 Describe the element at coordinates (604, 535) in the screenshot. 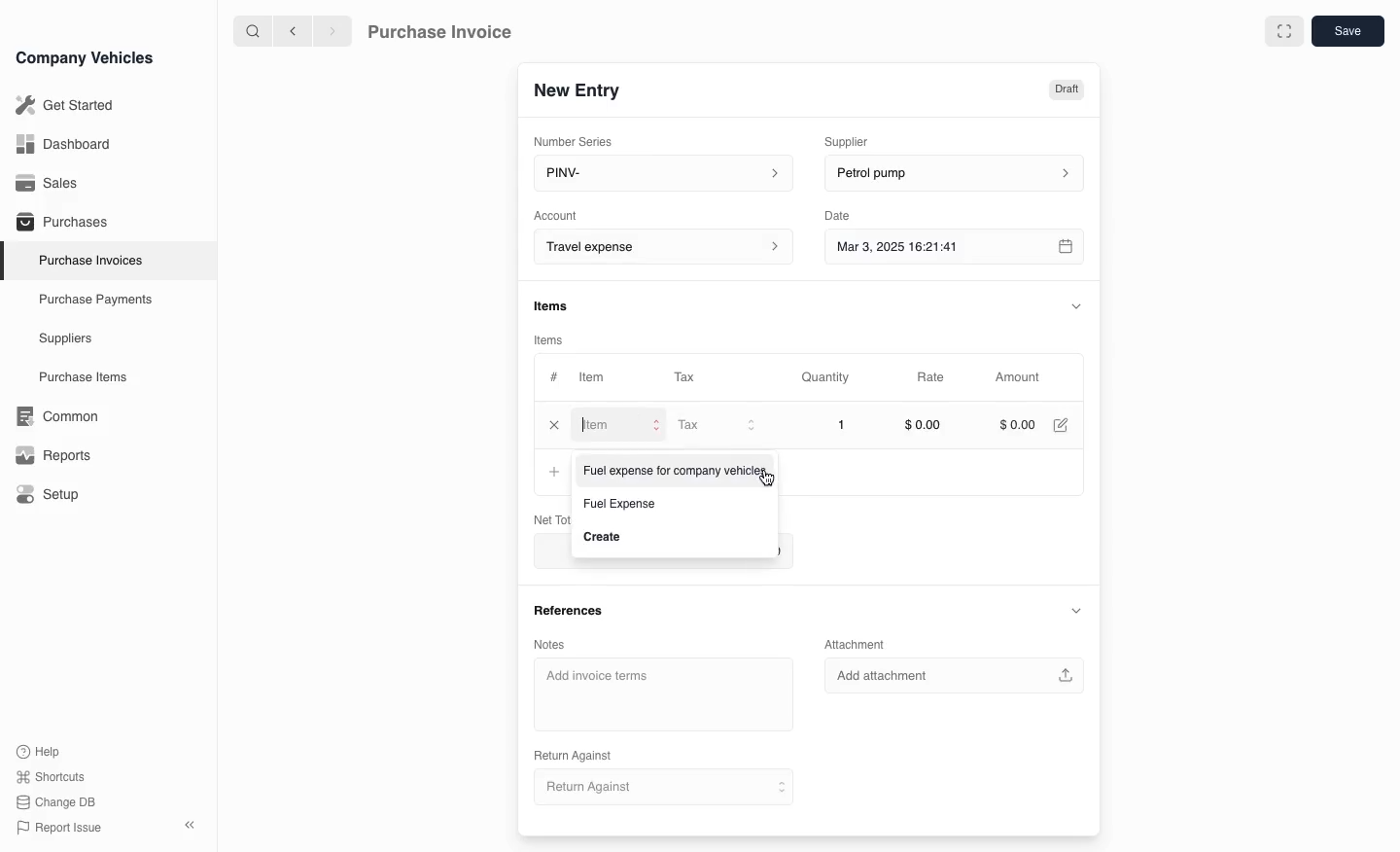

I see `Create` at that location.